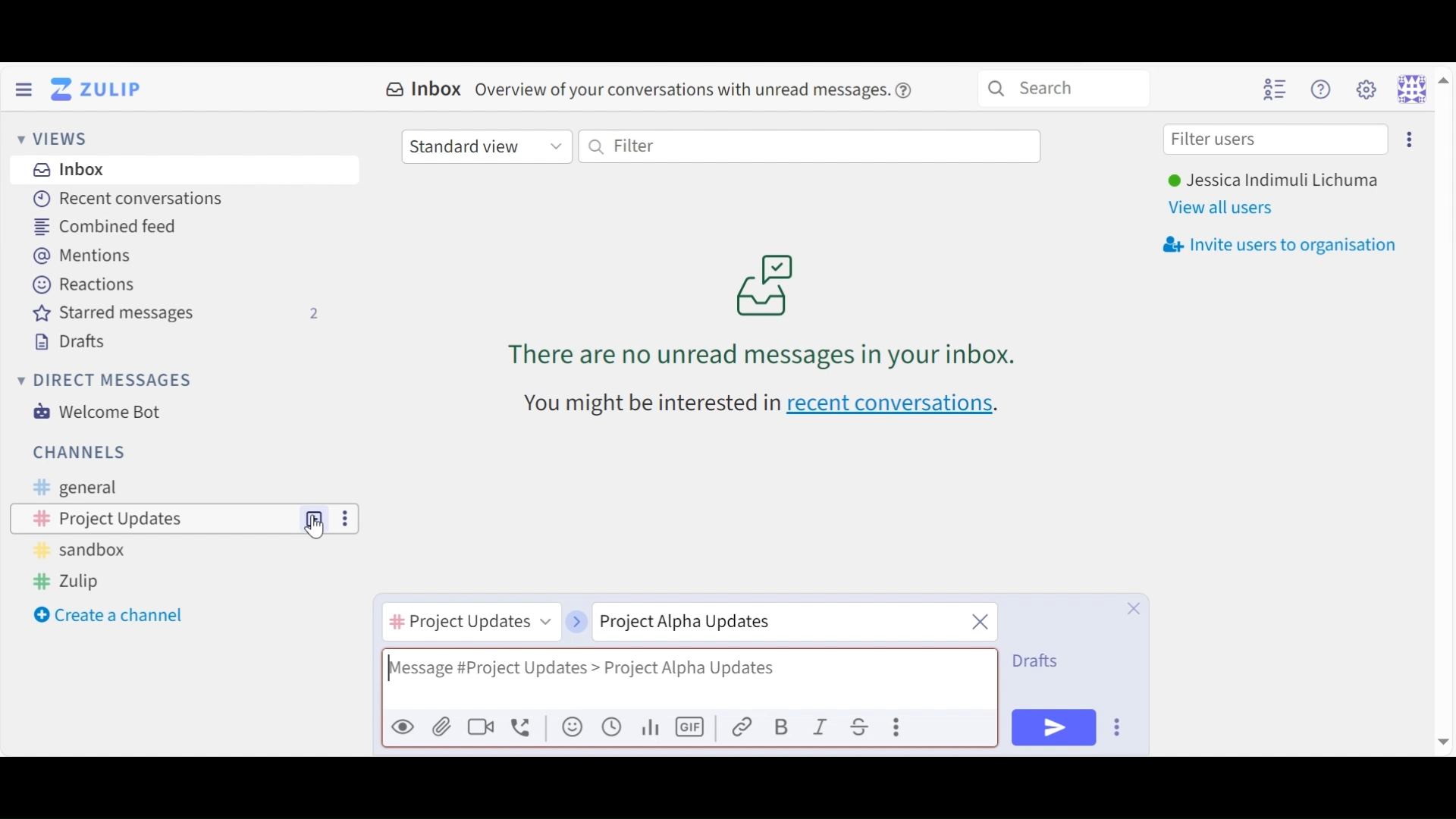 Image resolution: width=1456 pixels, height=819 pixels. I want to click on Reactions, so click(83, 283).